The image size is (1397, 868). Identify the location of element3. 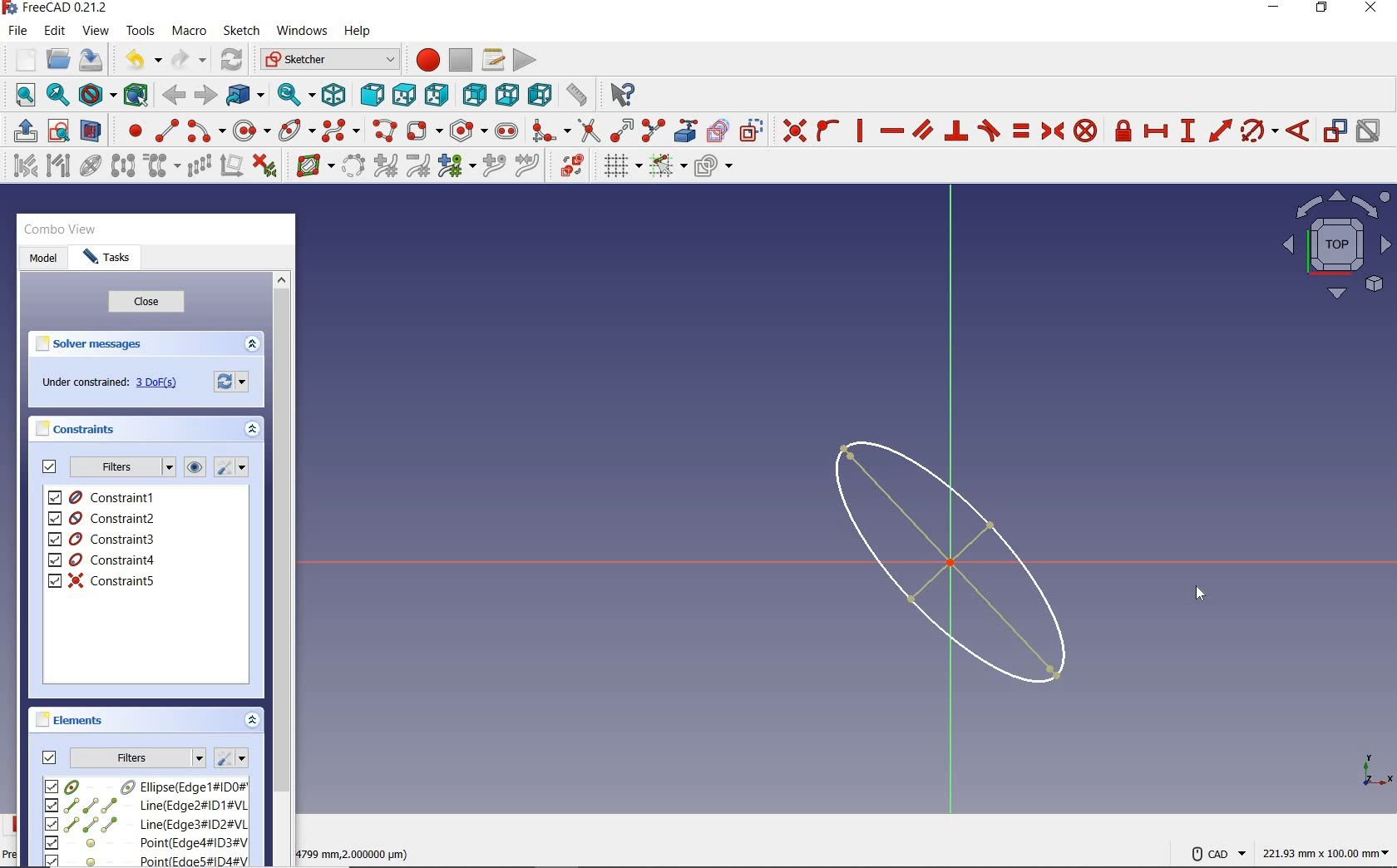
(146, 824).